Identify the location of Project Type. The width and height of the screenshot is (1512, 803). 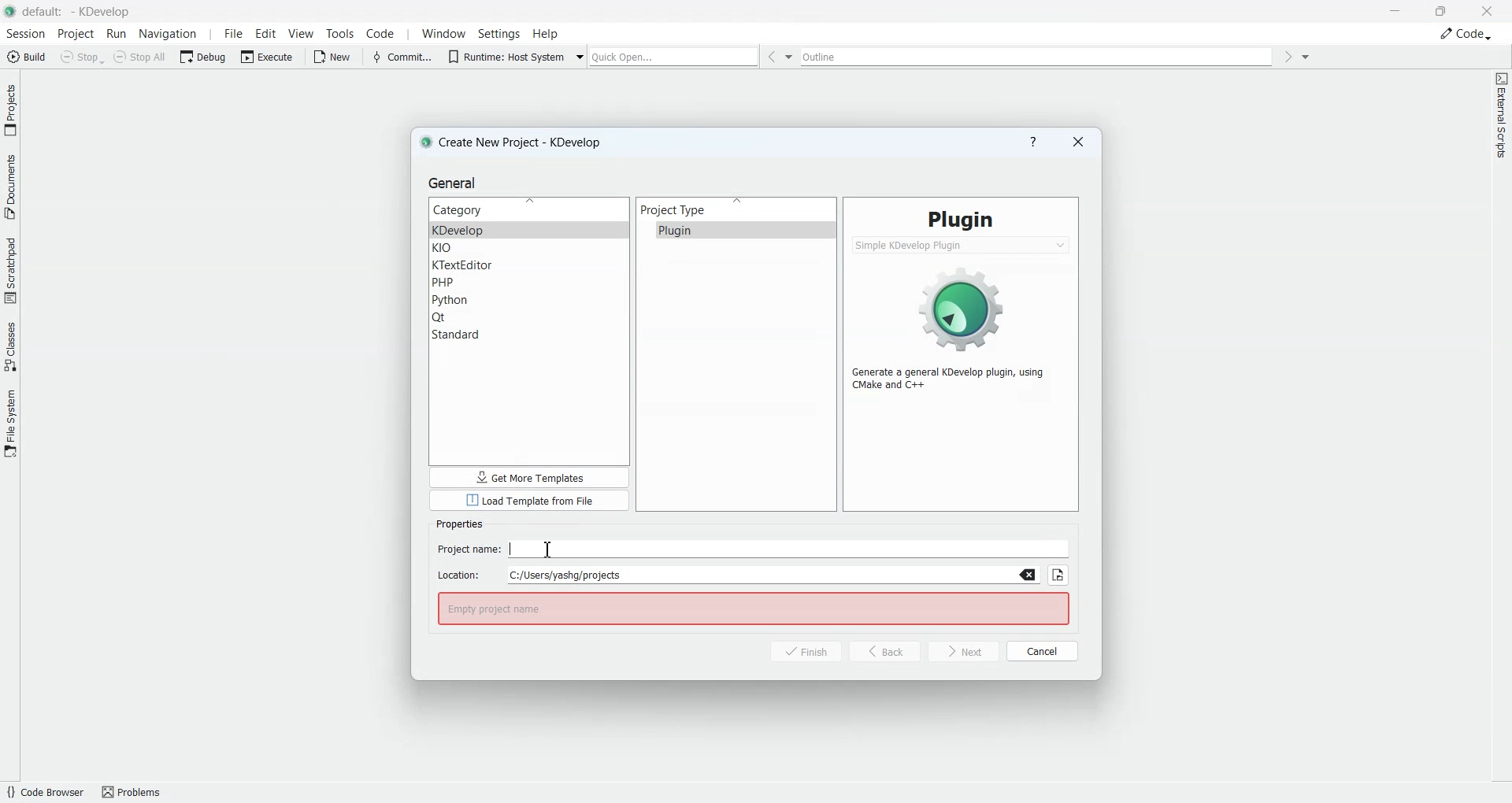
(736, 209).